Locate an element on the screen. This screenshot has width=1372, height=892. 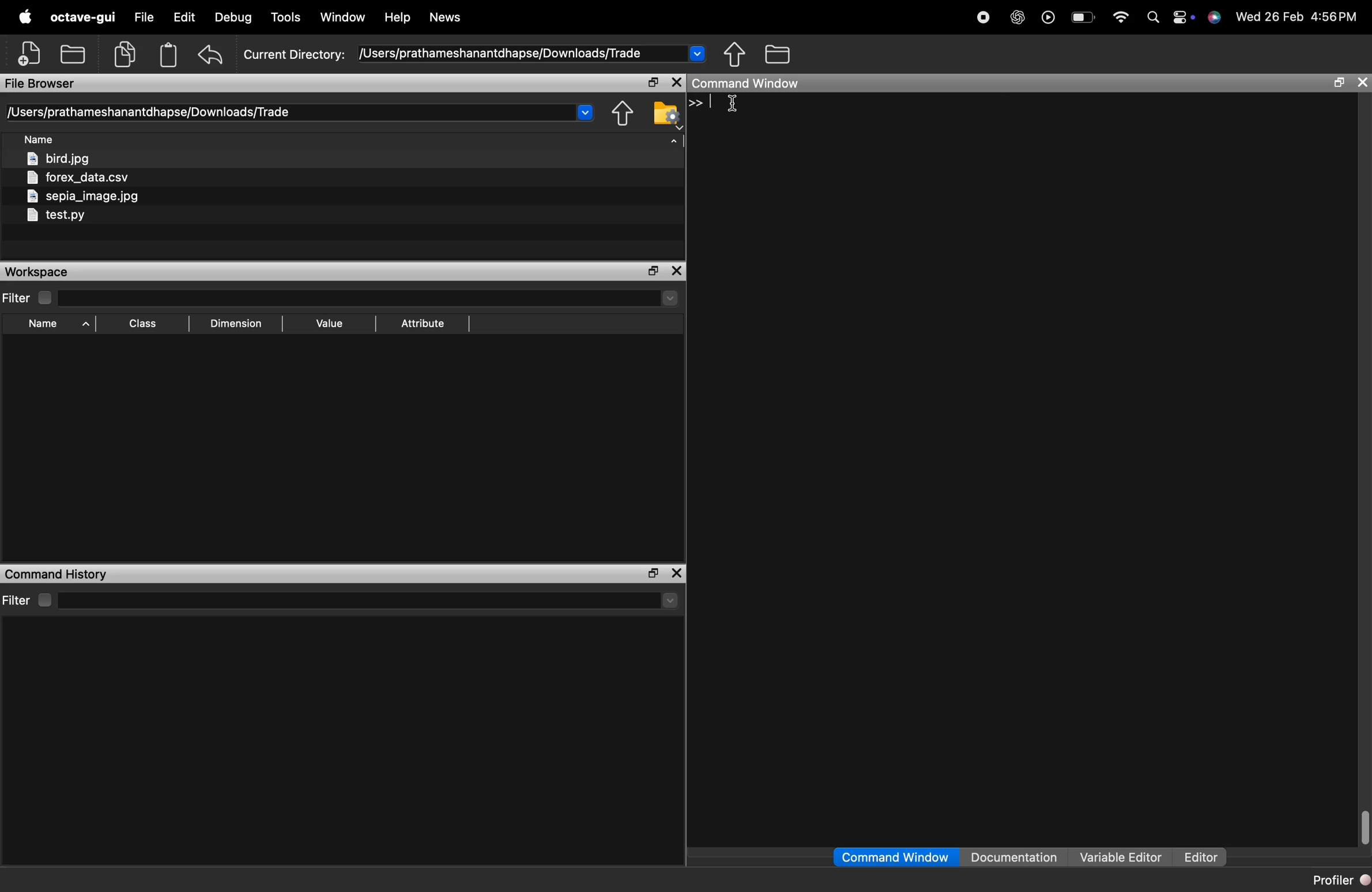
drop-down  is located at coordinates (670, 296).